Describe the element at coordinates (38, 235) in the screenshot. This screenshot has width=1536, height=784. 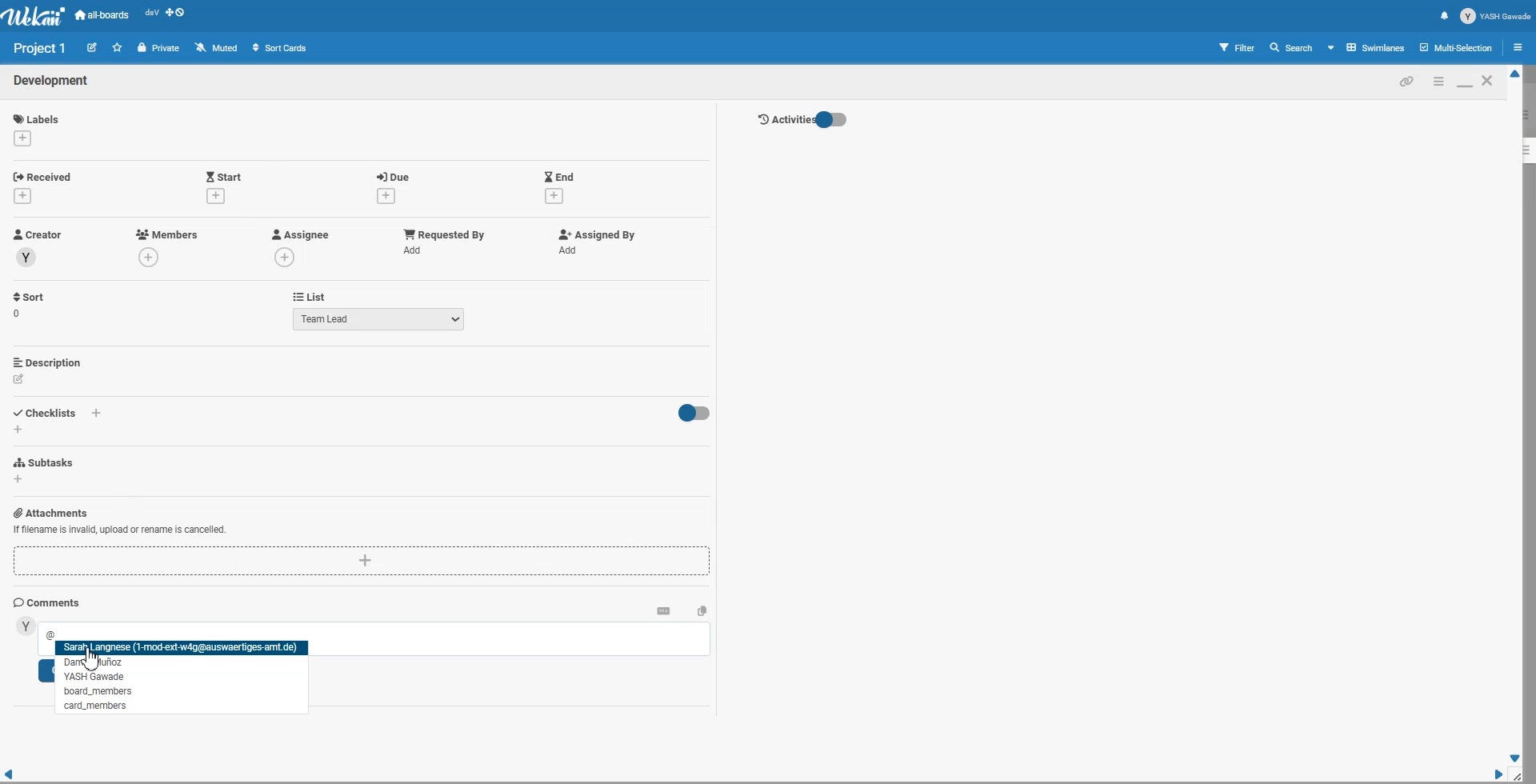
I see `Creator Profile` at that location.